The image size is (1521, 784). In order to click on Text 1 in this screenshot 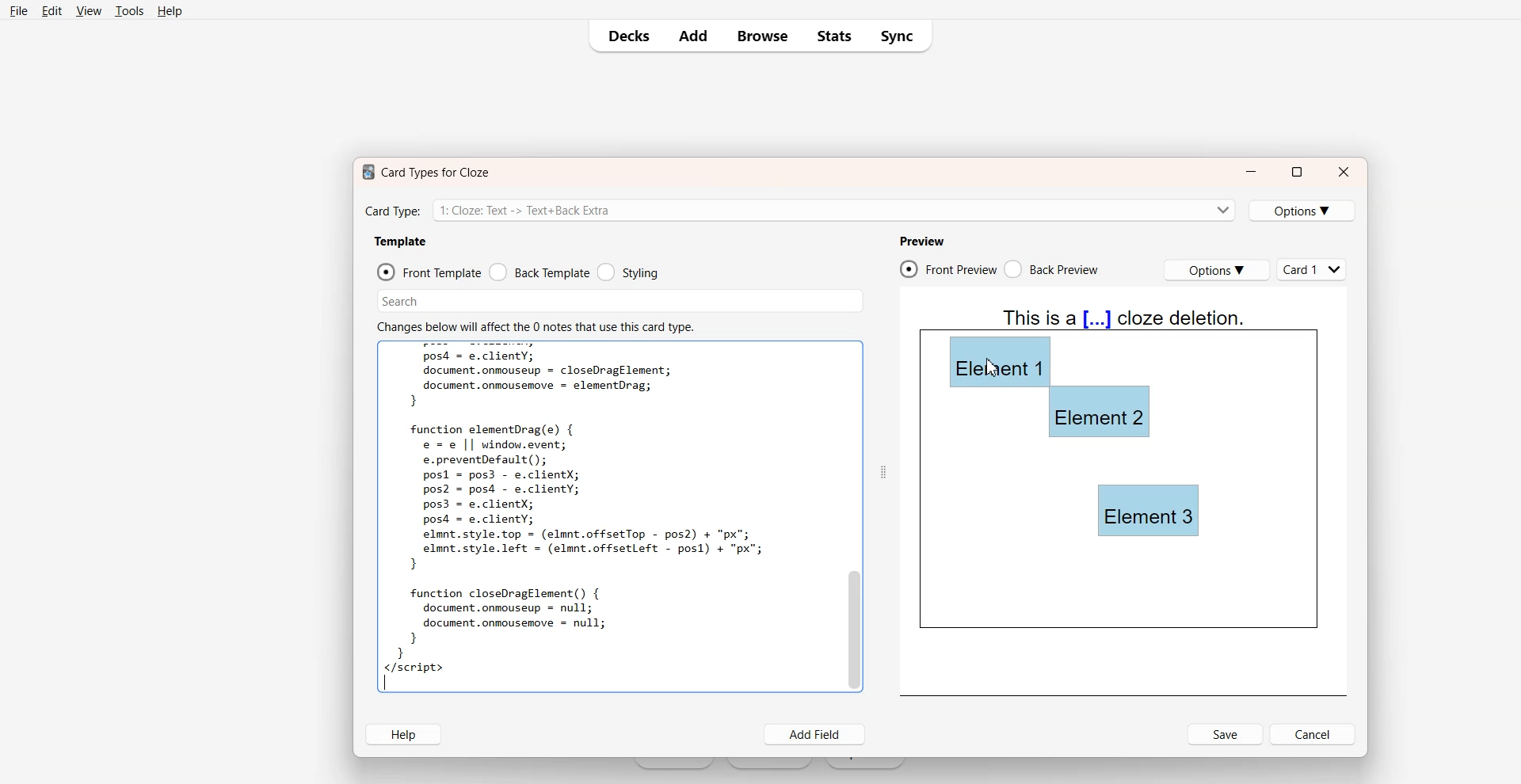, I will do `click(422, 172)`.